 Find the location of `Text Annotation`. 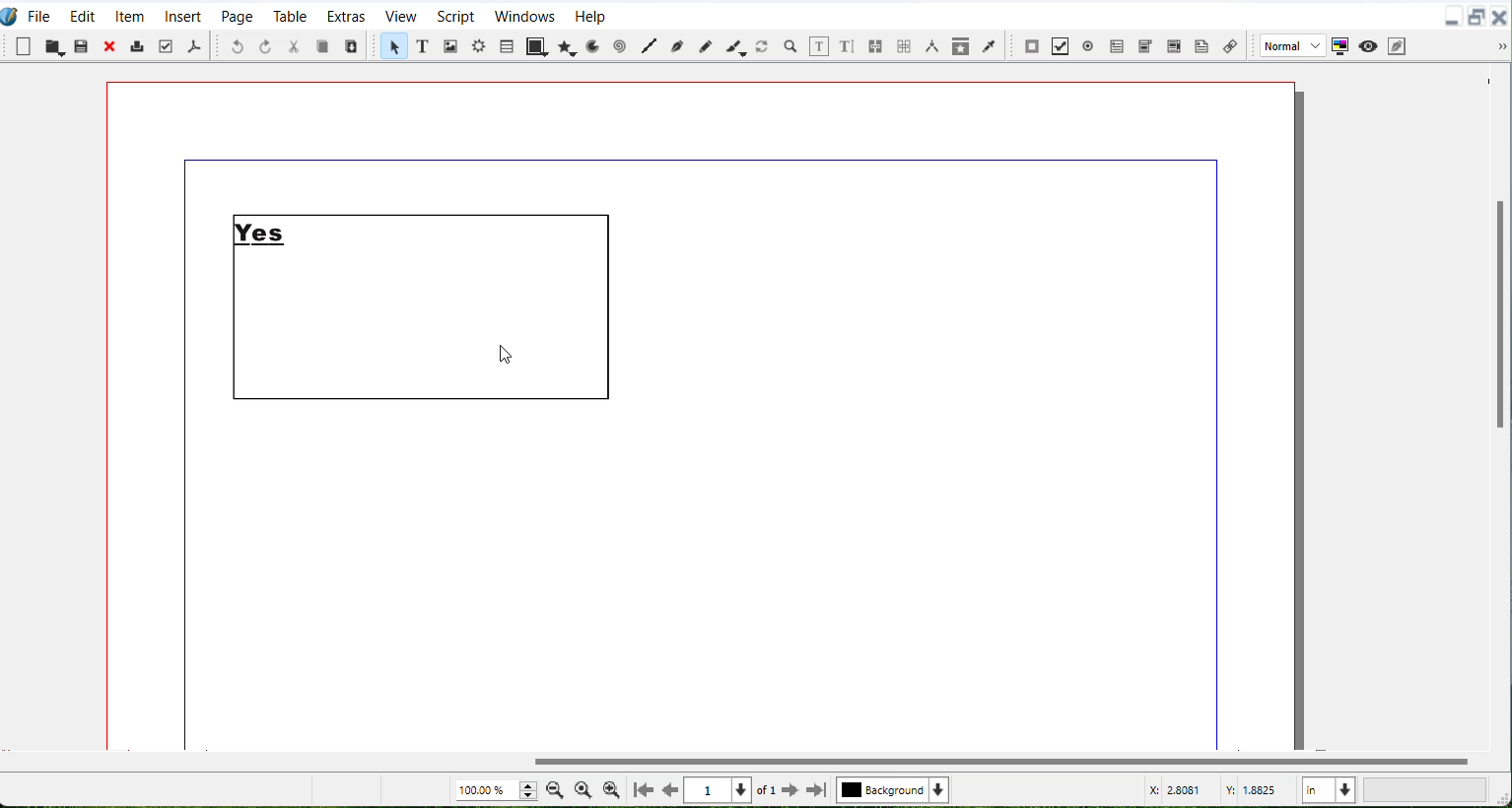

Text Annotation is located at coordinates (1203, 45).